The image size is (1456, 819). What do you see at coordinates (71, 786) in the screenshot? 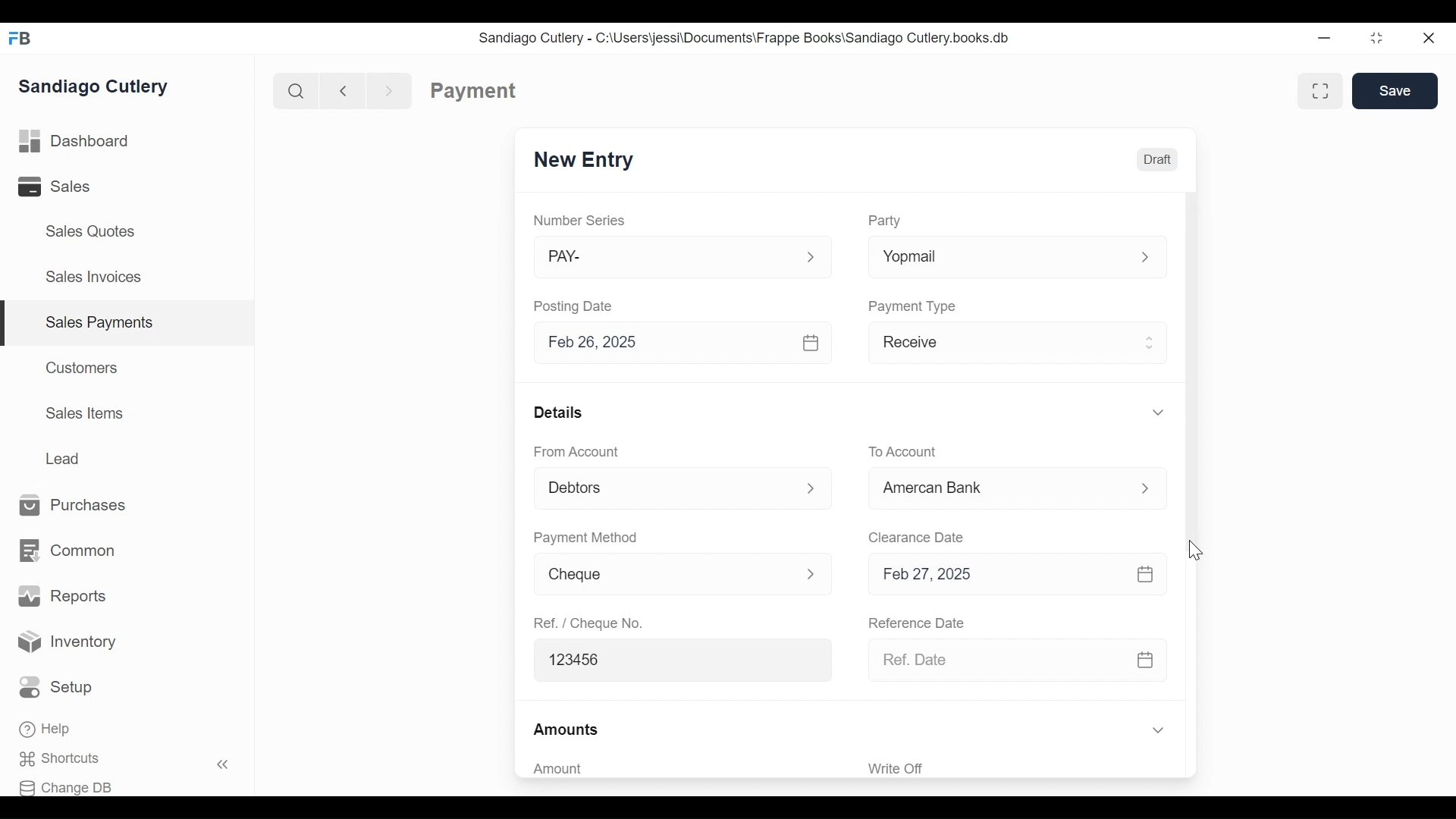
I see `Change DB` at bounding box center [71, 786].